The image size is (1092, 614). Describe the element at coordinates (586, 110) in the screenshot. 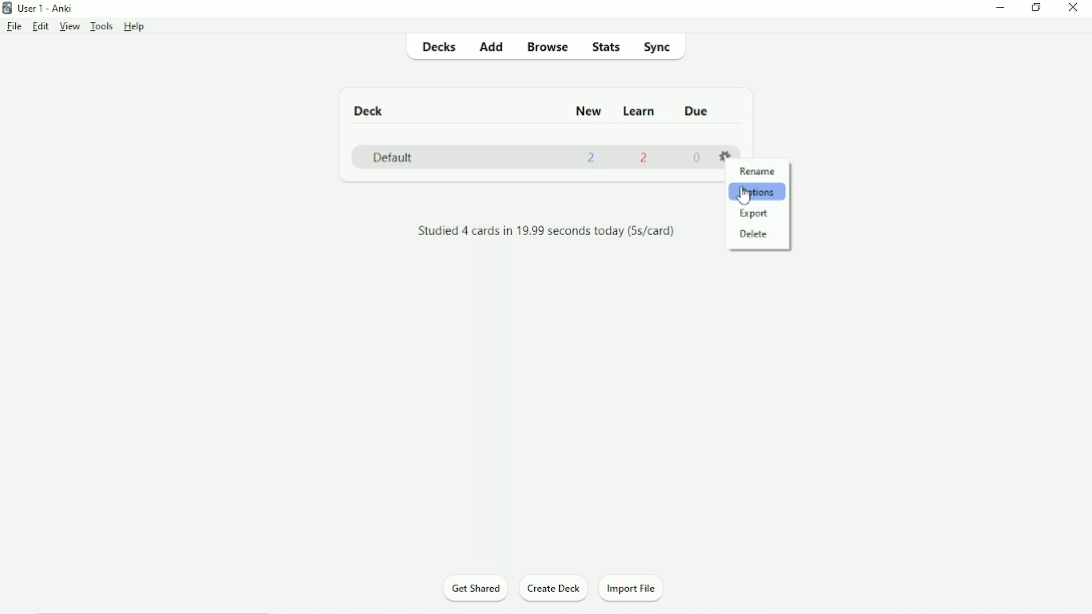

I see `New` at that location.